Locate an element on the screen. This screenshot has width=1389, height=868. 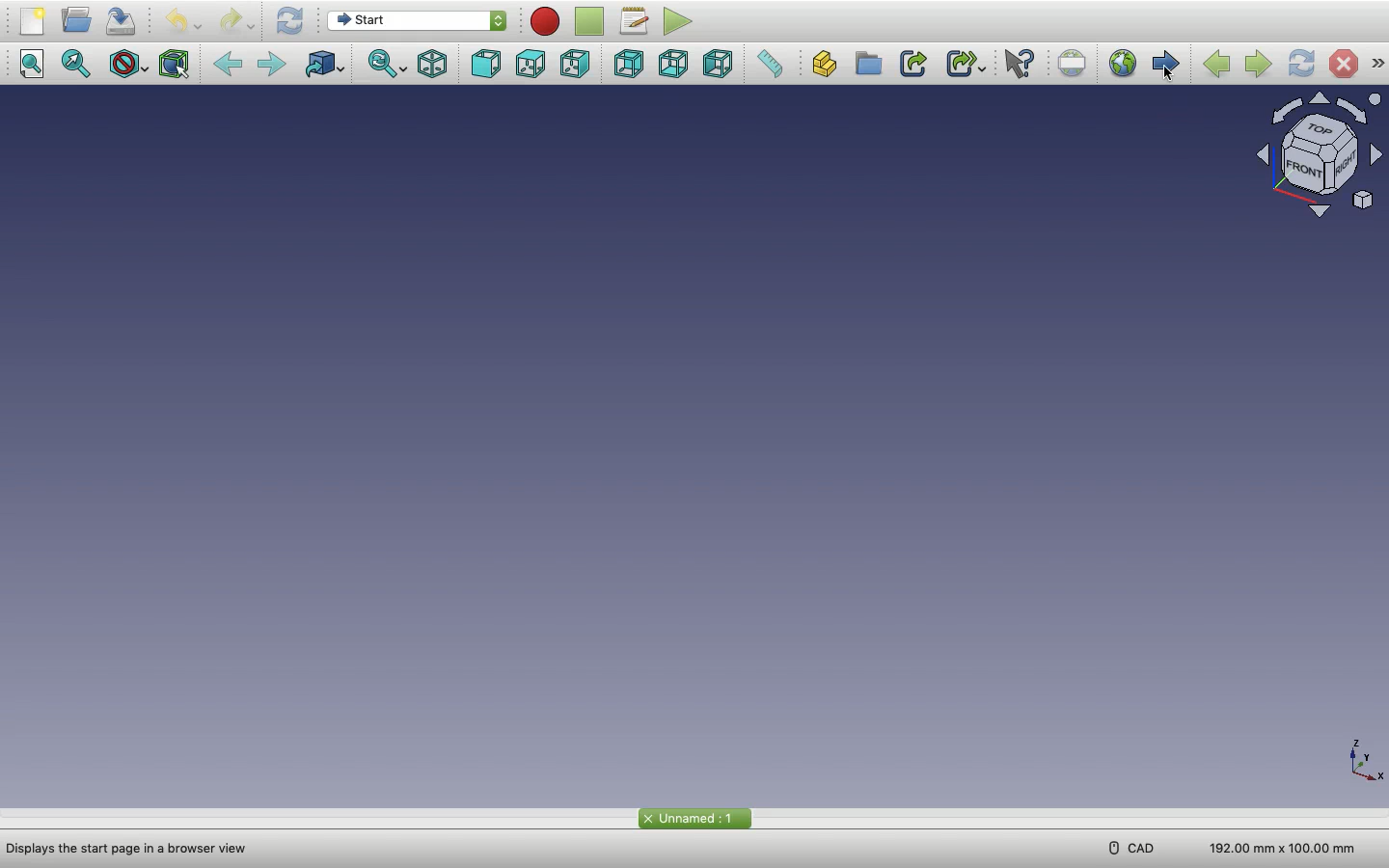
Create group is located at coordinates (872, 64).